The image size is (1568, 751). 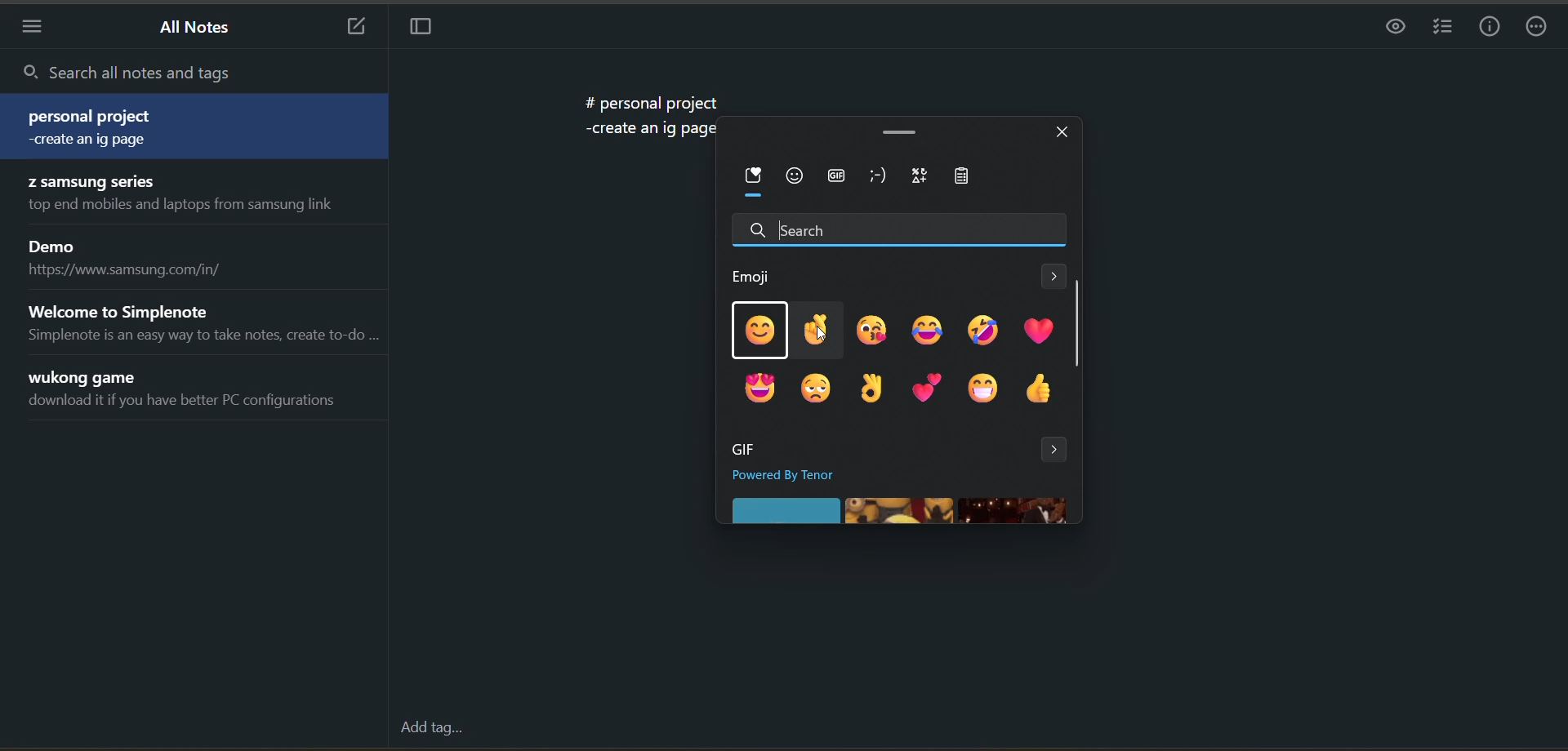 What do you see at coordinates (800, 475) in the screenshot?
I see `powered by tenor` at bounding box center [800, 475].